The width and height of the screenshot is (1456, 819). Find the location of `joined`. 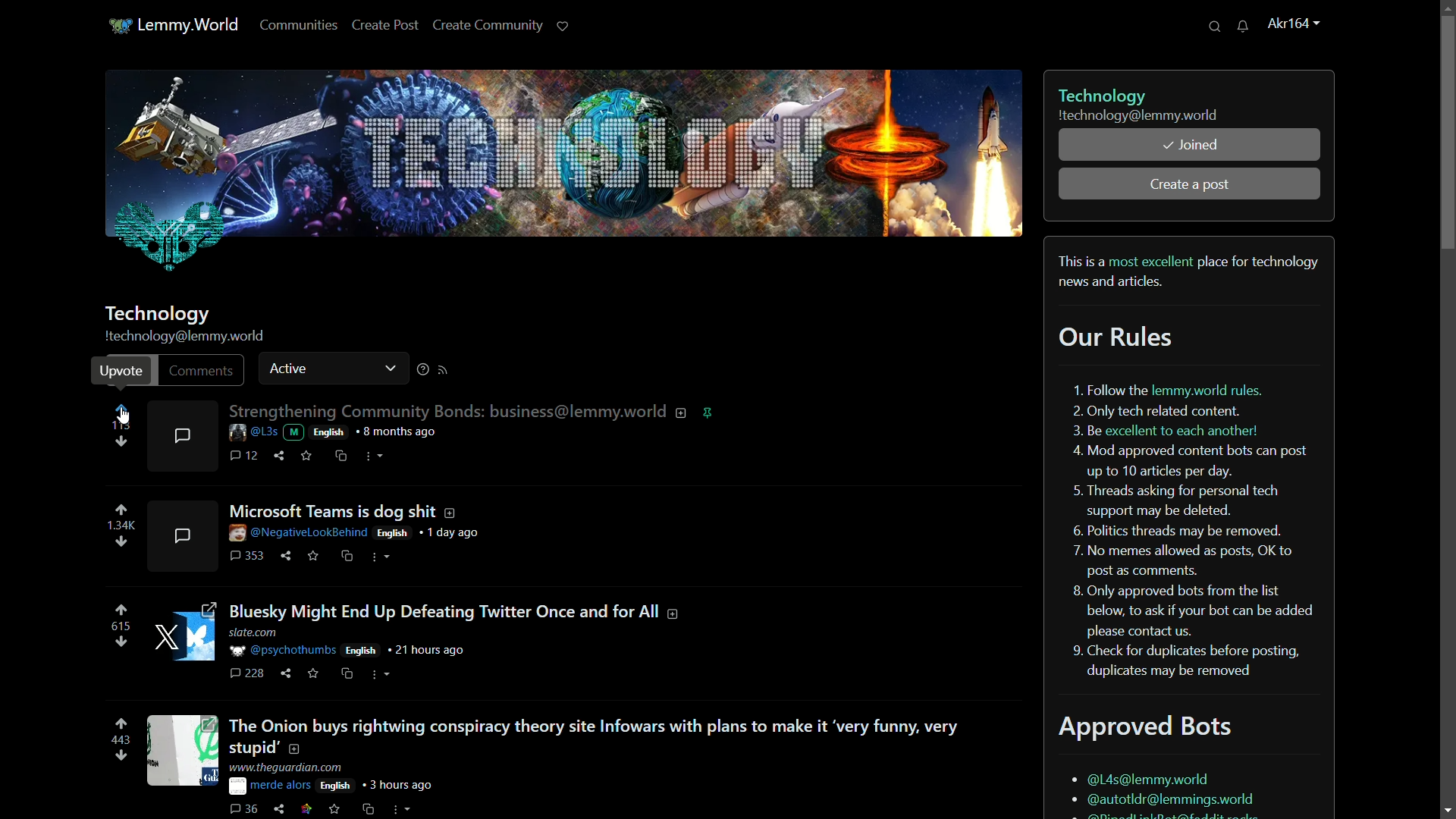

joined is located at coordinates (1188, 146).